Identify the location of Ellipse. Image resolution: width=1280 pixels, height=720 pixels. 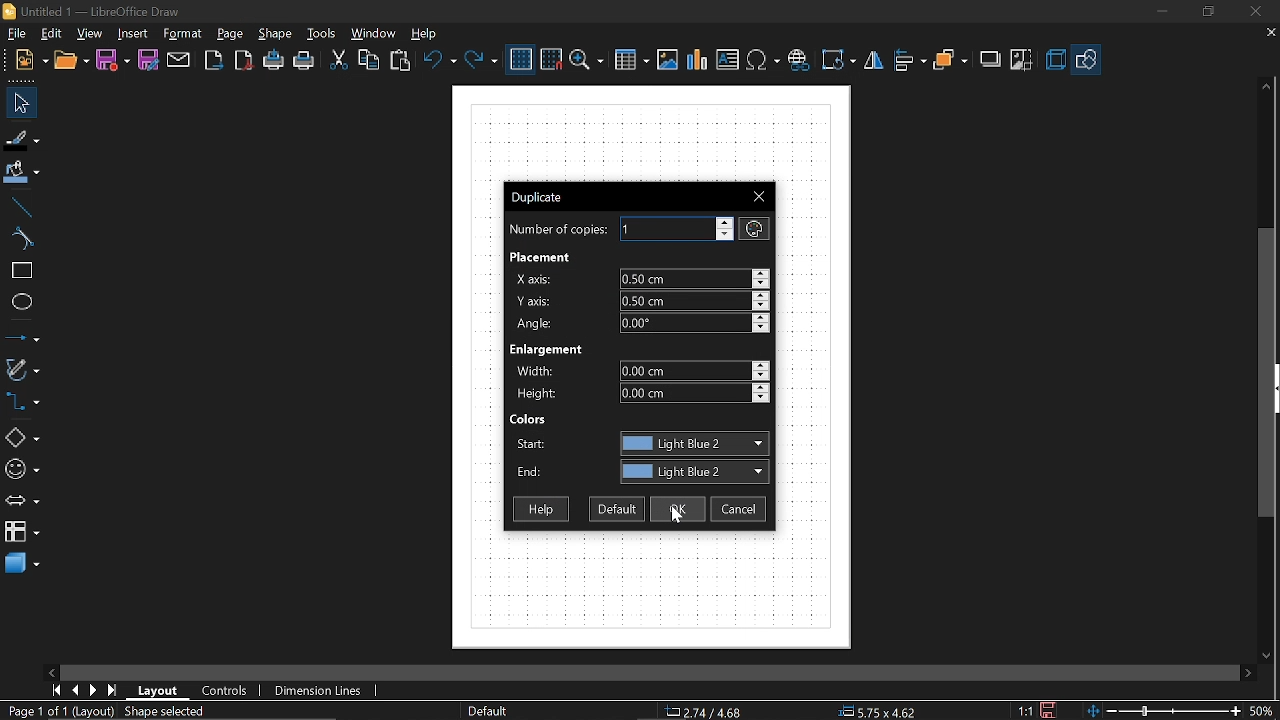
(18, 302).